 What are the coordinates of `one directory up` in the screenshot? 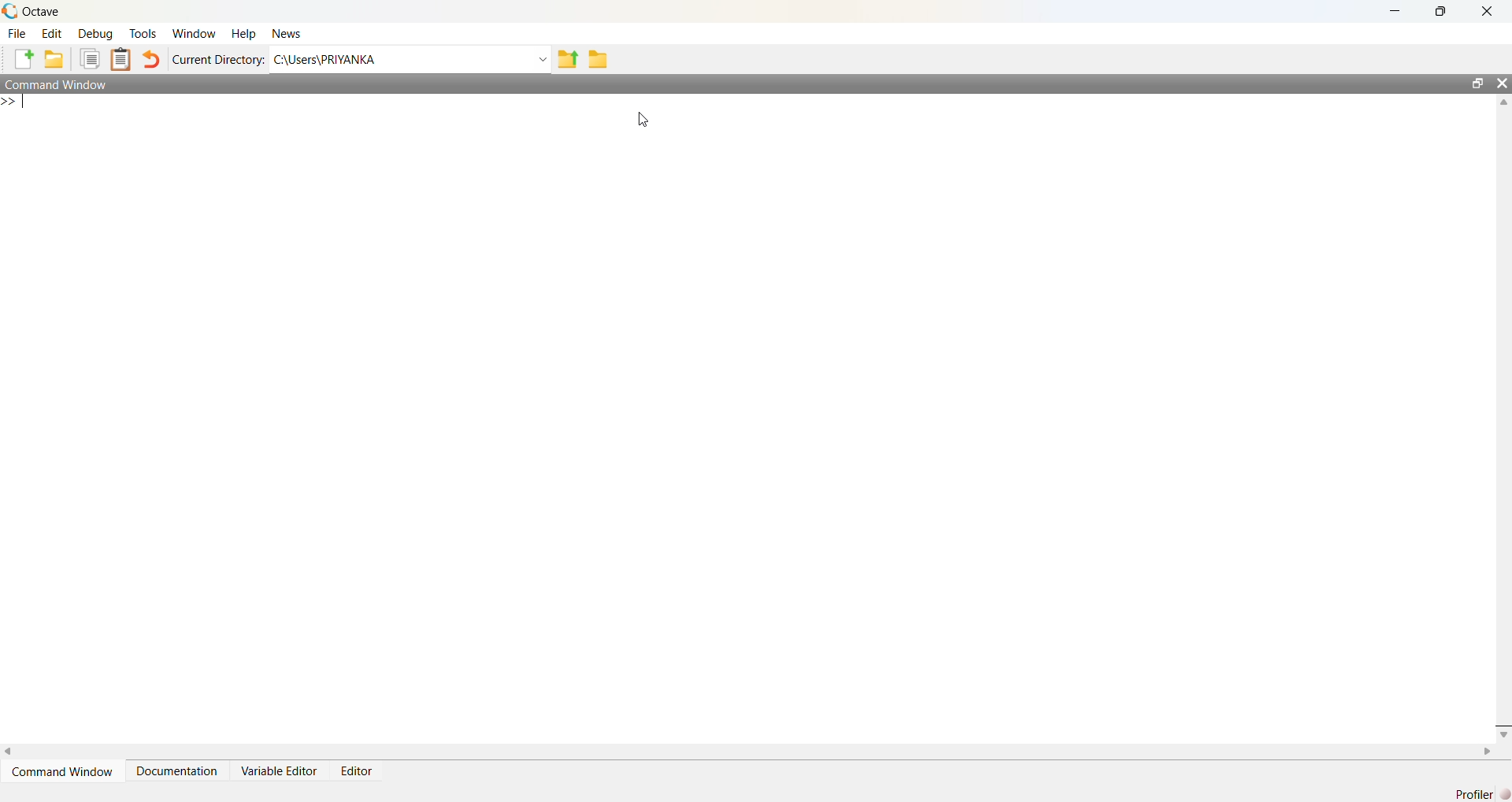 It's located at (566, 58).